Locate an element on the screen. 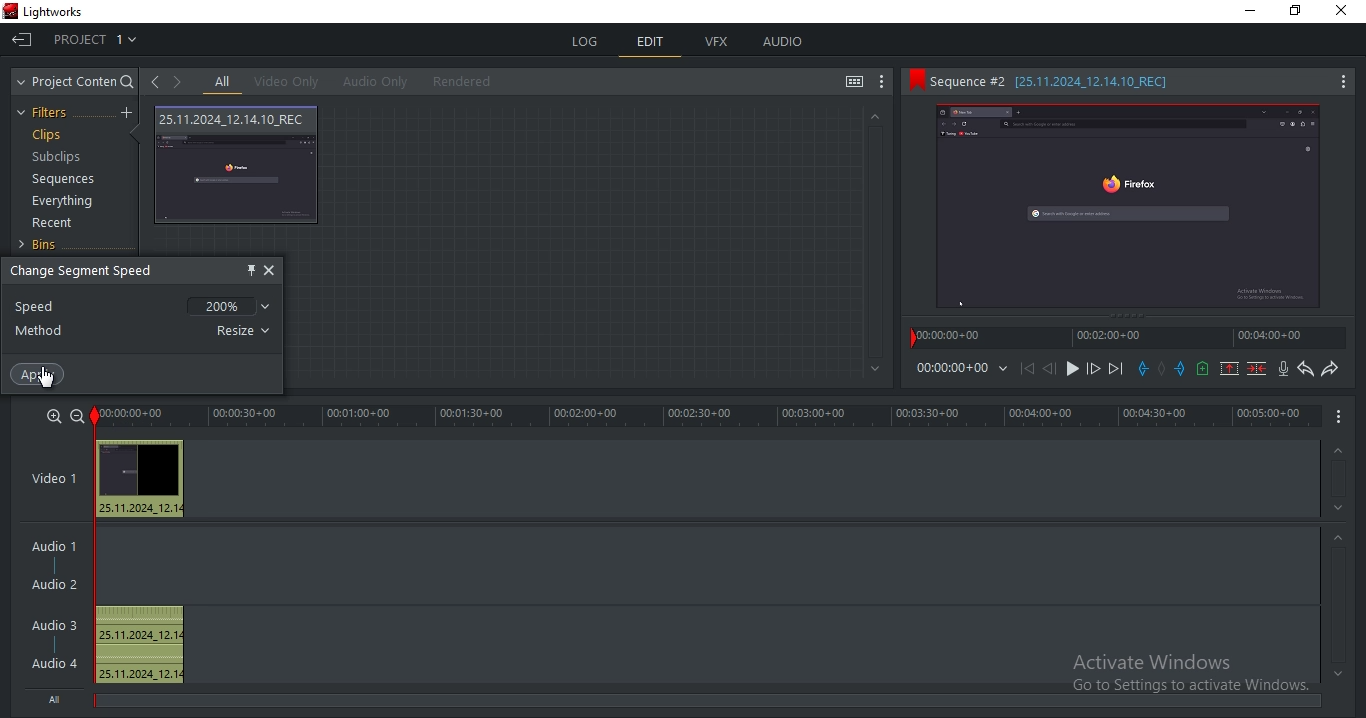  recent is located at coordinates (55, 225).